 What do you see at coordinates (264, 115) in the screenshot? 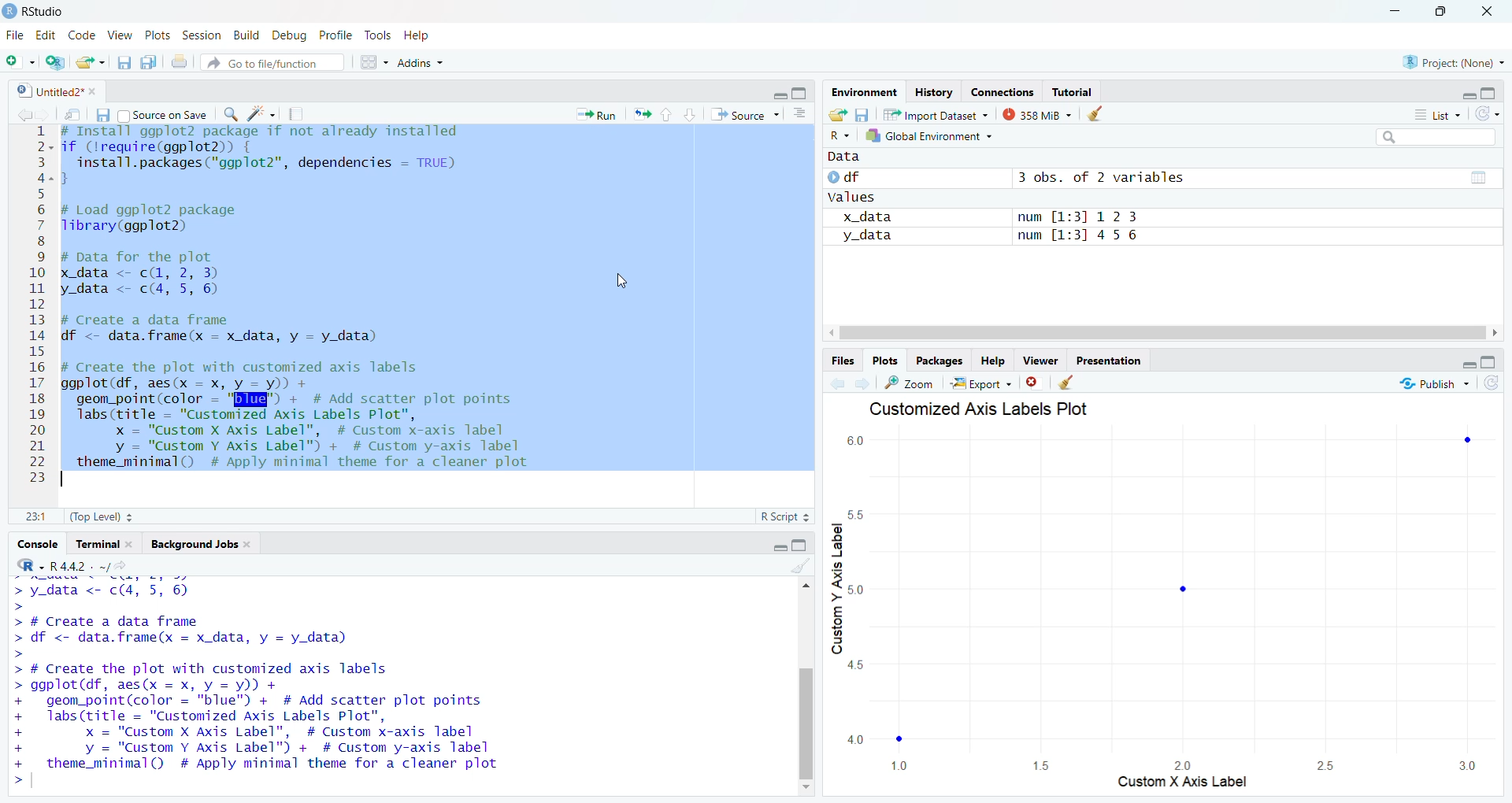
I see `spark` at bounding box center [264, 115].